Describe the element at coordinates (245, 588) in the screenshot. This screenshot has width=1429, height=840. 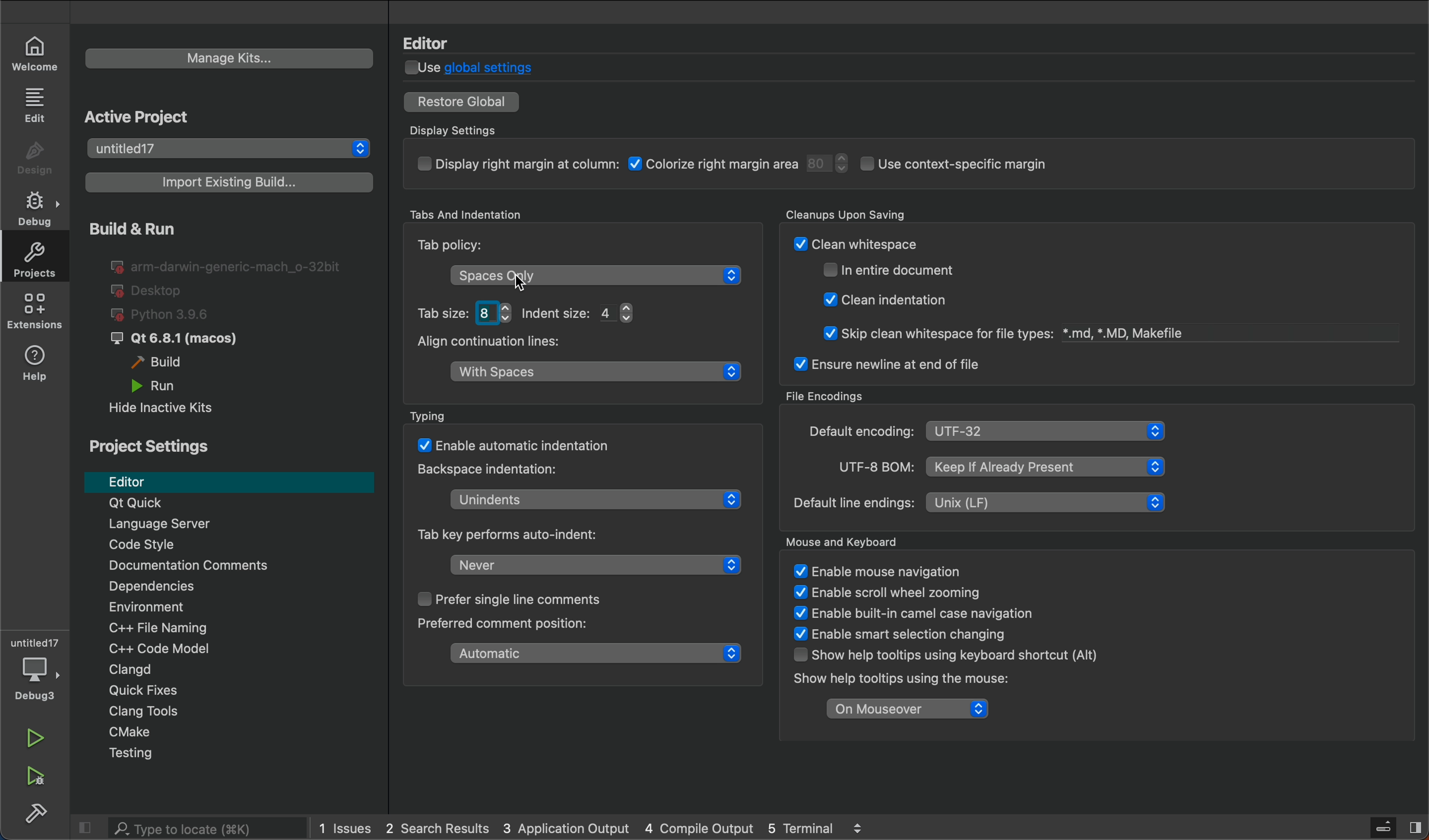
I see `Dependencies ` at that location.